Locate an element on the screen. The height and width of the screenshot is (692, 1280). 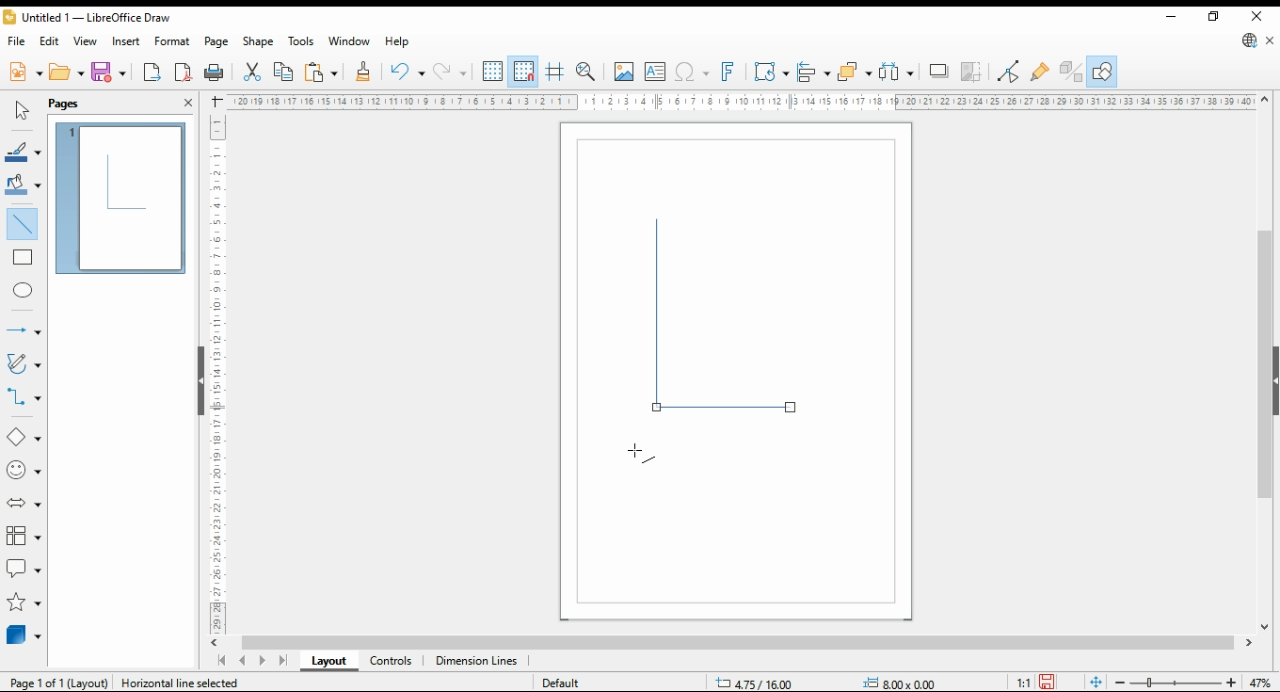
snap to grid is located at coordinates (523, 72).